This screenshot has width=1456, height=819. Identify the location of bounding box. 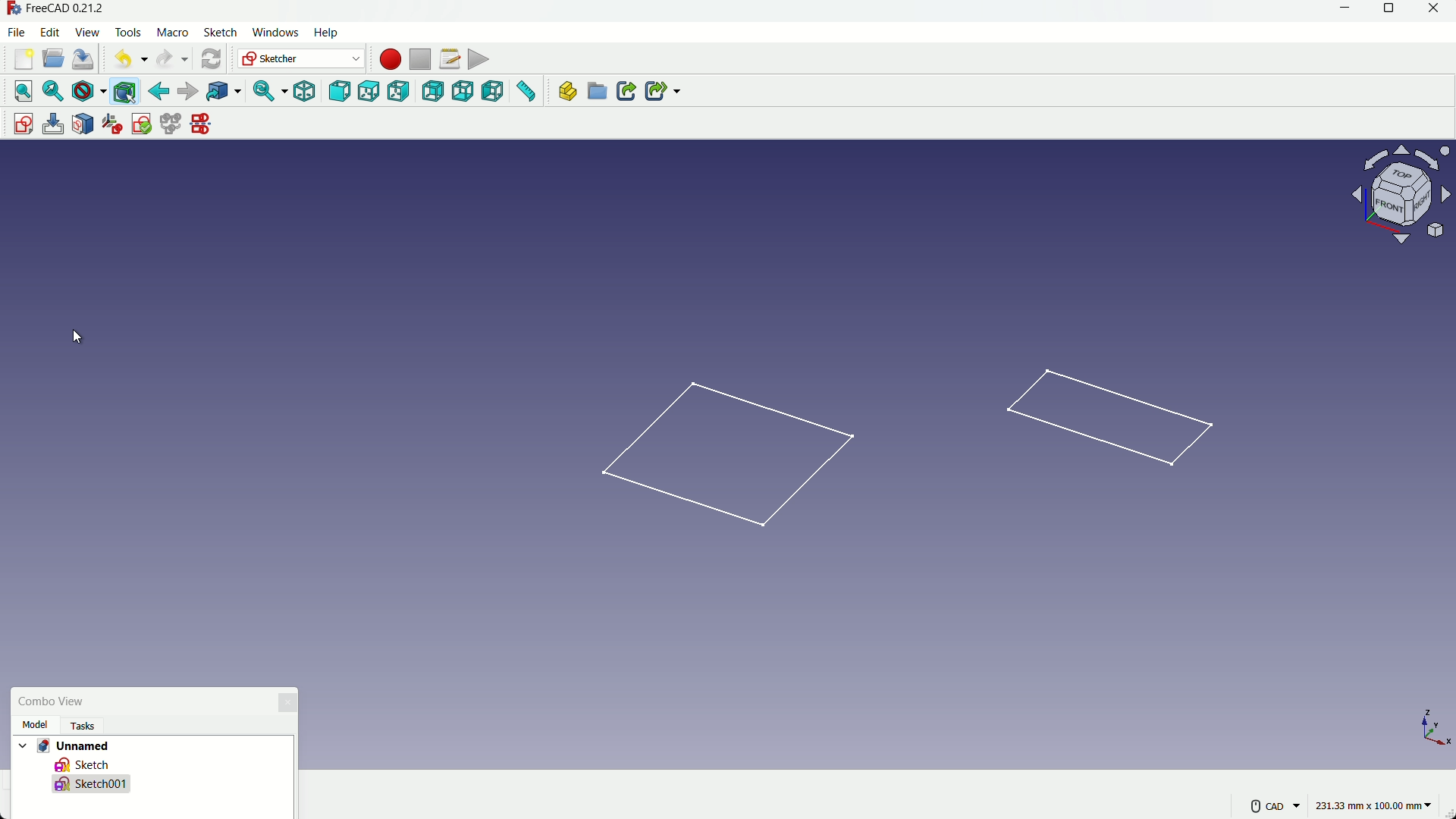
(124, 91).